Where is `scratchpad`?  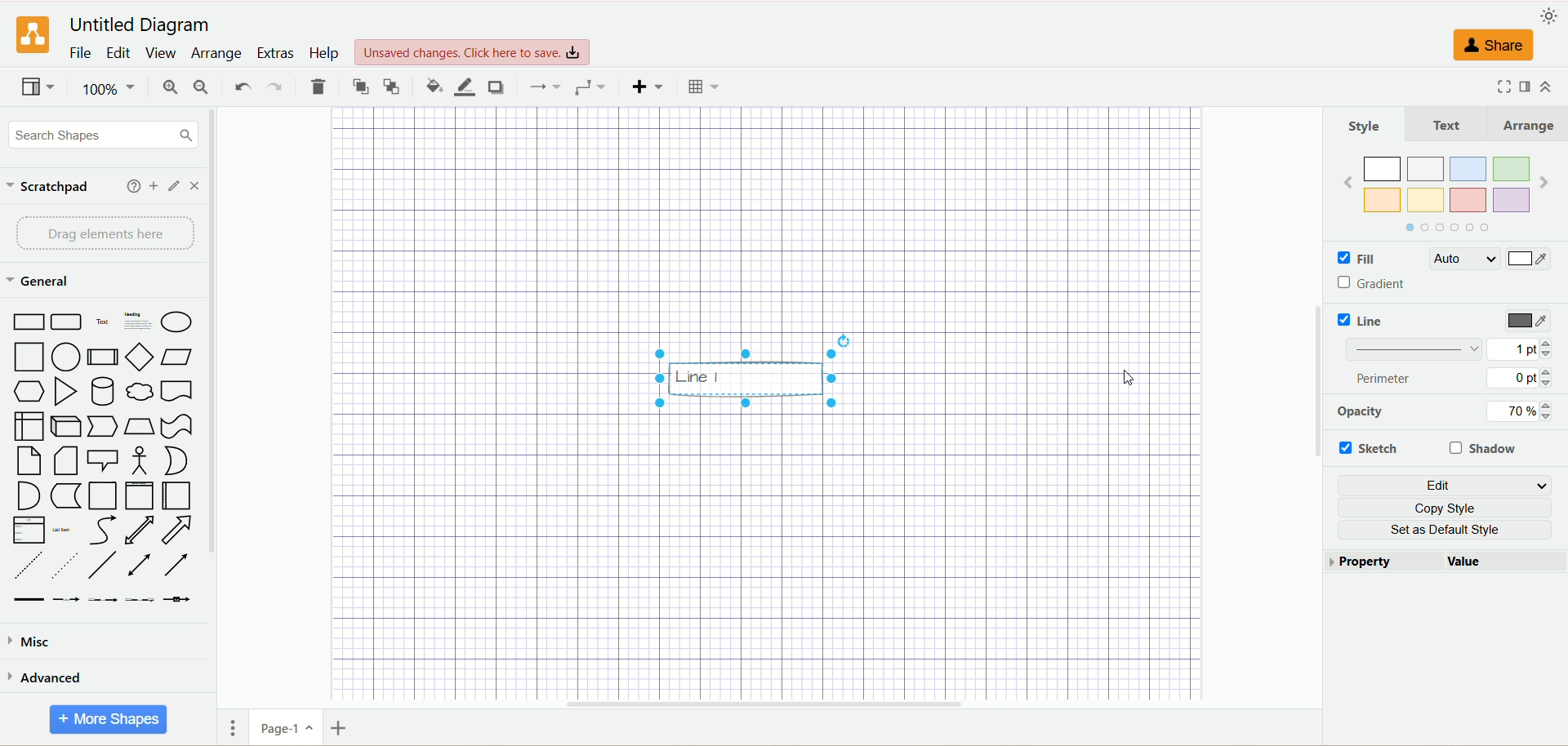 scratchpad is located at coordinates (49, 187).